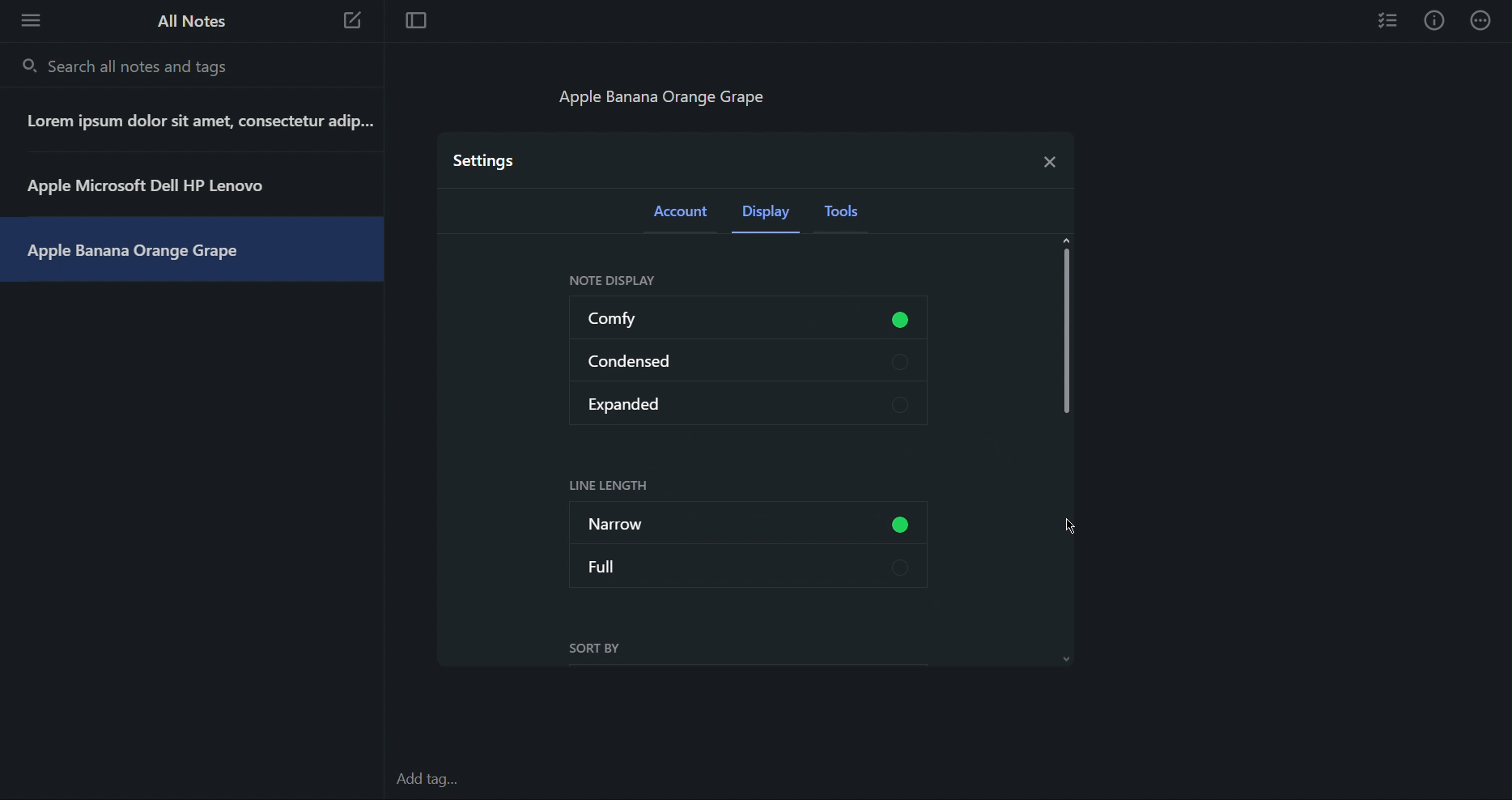 The image size is (1512, 800). Describe the element at coordinates (1068, 240) in the screenshot. I see `scroll up` at that location.